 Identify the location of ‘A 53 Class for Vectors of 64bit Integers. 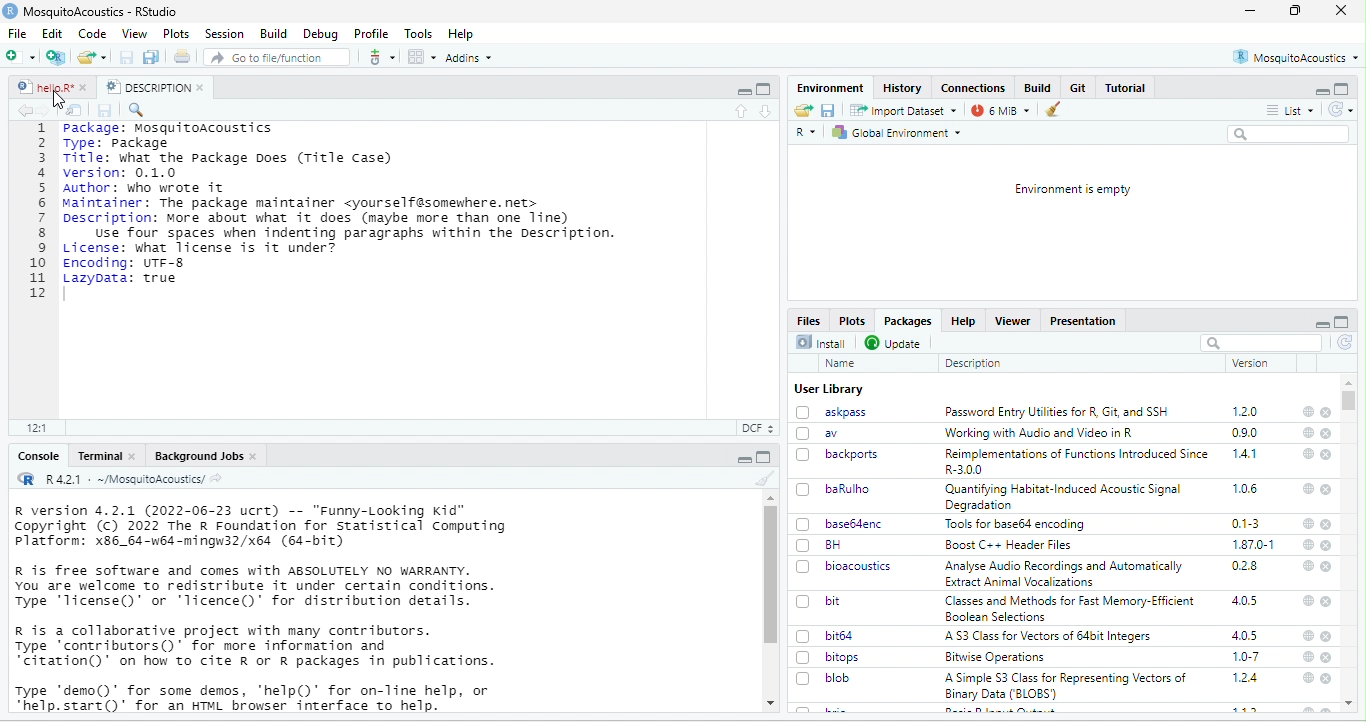
(1052, 636).